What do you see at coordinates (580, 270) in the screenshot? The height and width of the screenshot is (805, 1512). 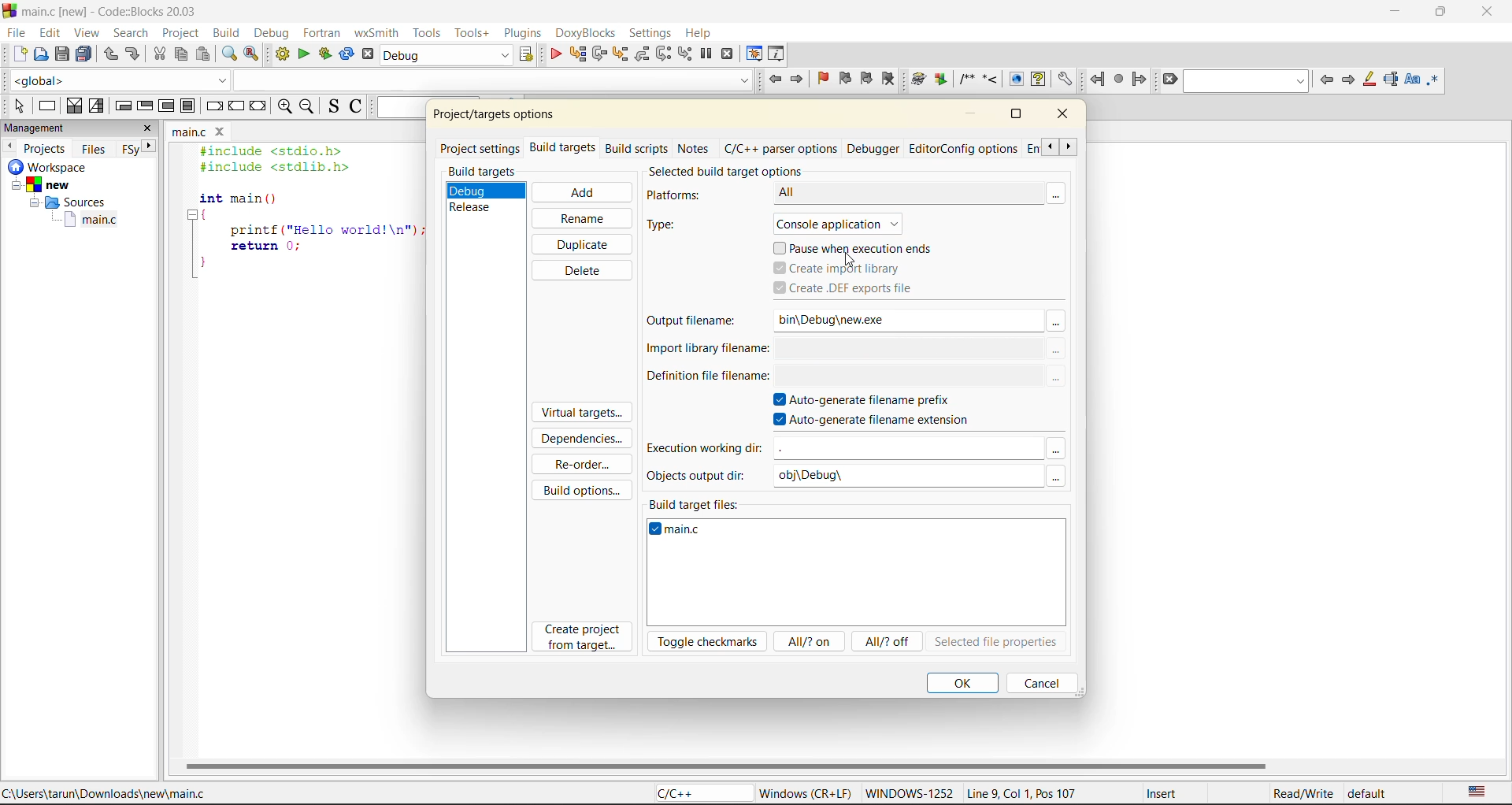 I see `delete` at bounding box center [580, 270].